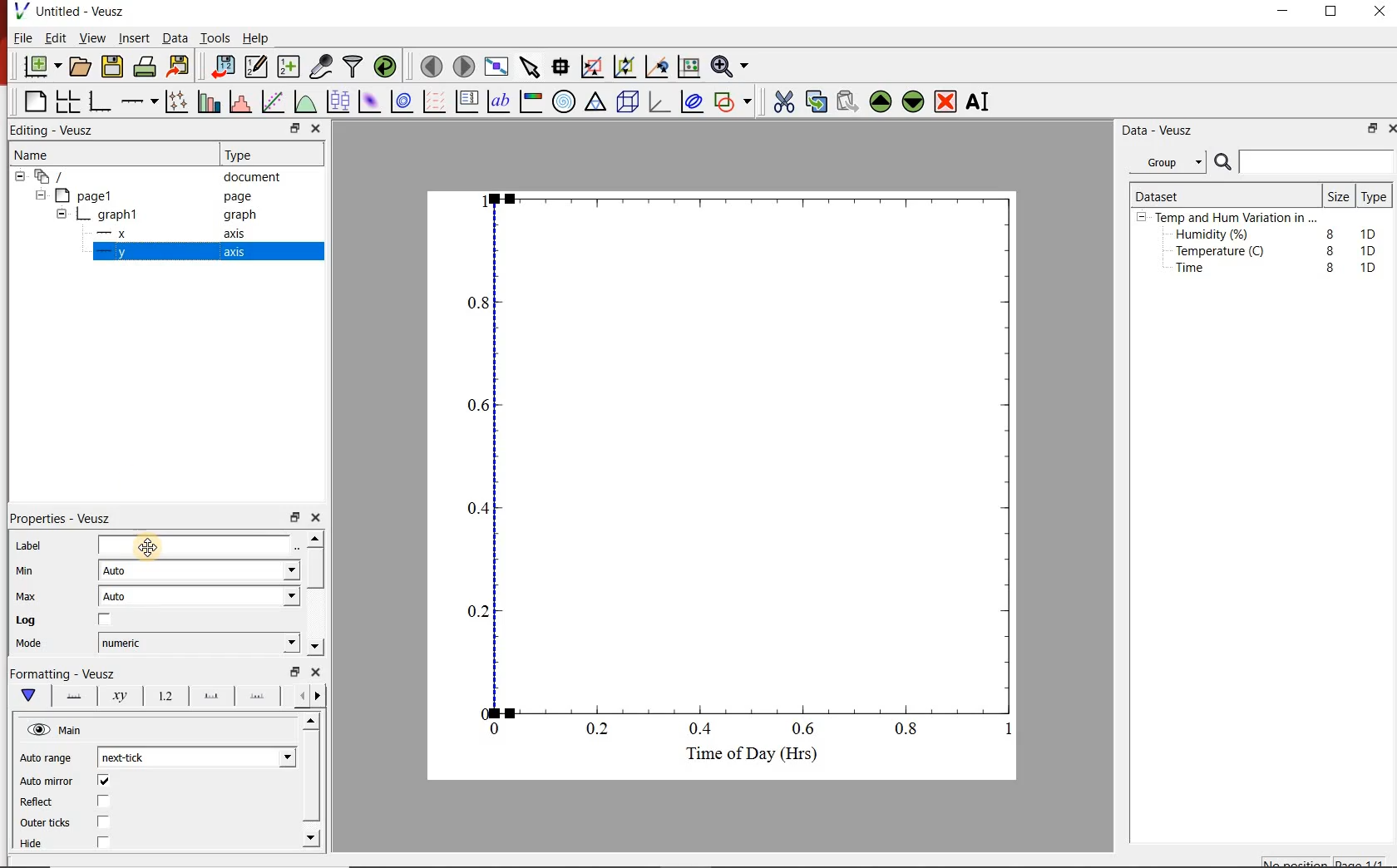  What do you see at coordinates (597, 104) in the screenshot?
I see `ternary graph` at bounding box center [597, 104].